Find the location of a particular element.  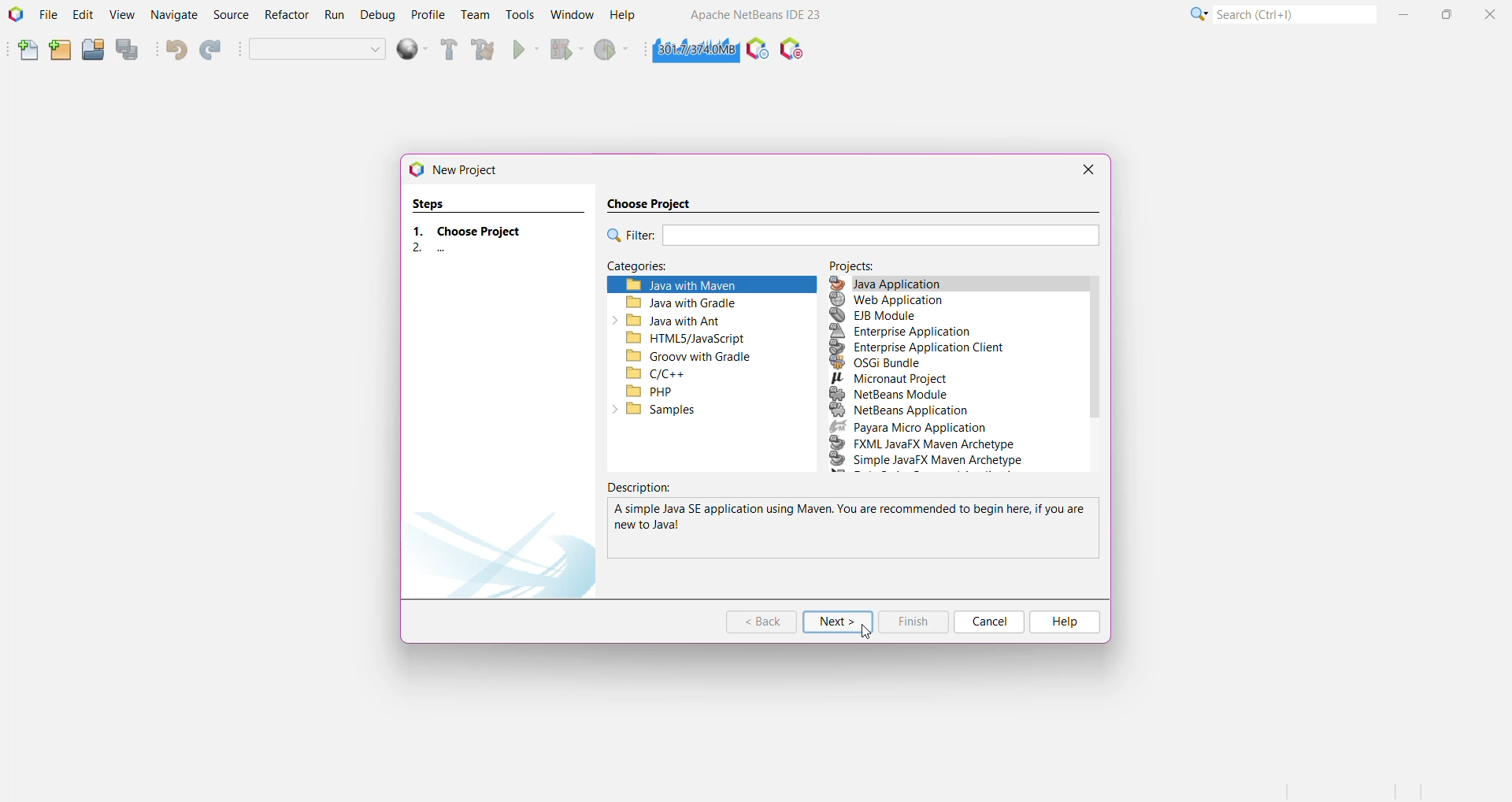

Profile Project is located at coordinates (613, 50).